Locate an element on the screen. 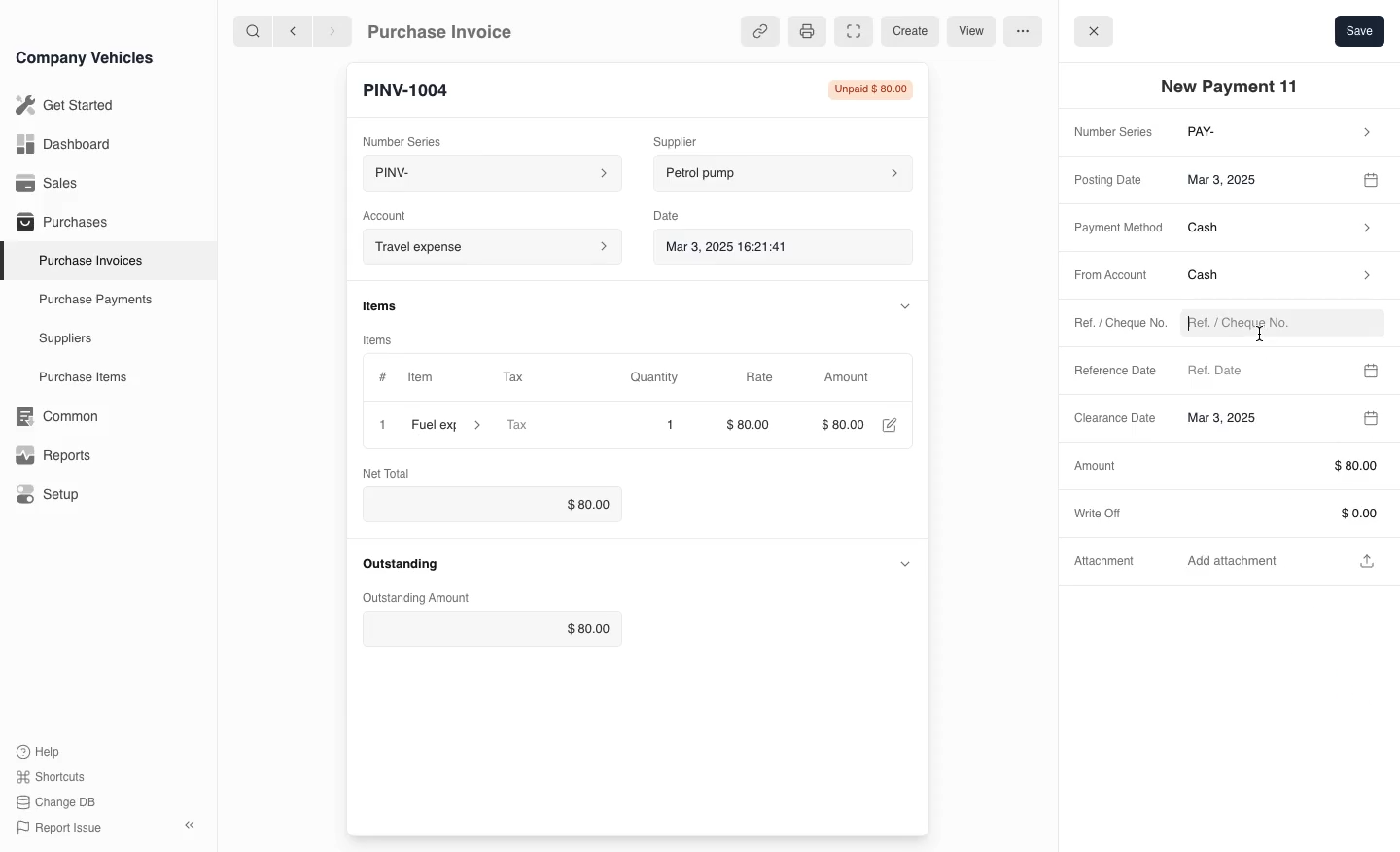 Image resolution: width=1400 pixels, height=852 pixels. unpaid is located at coordinates (864, 89).